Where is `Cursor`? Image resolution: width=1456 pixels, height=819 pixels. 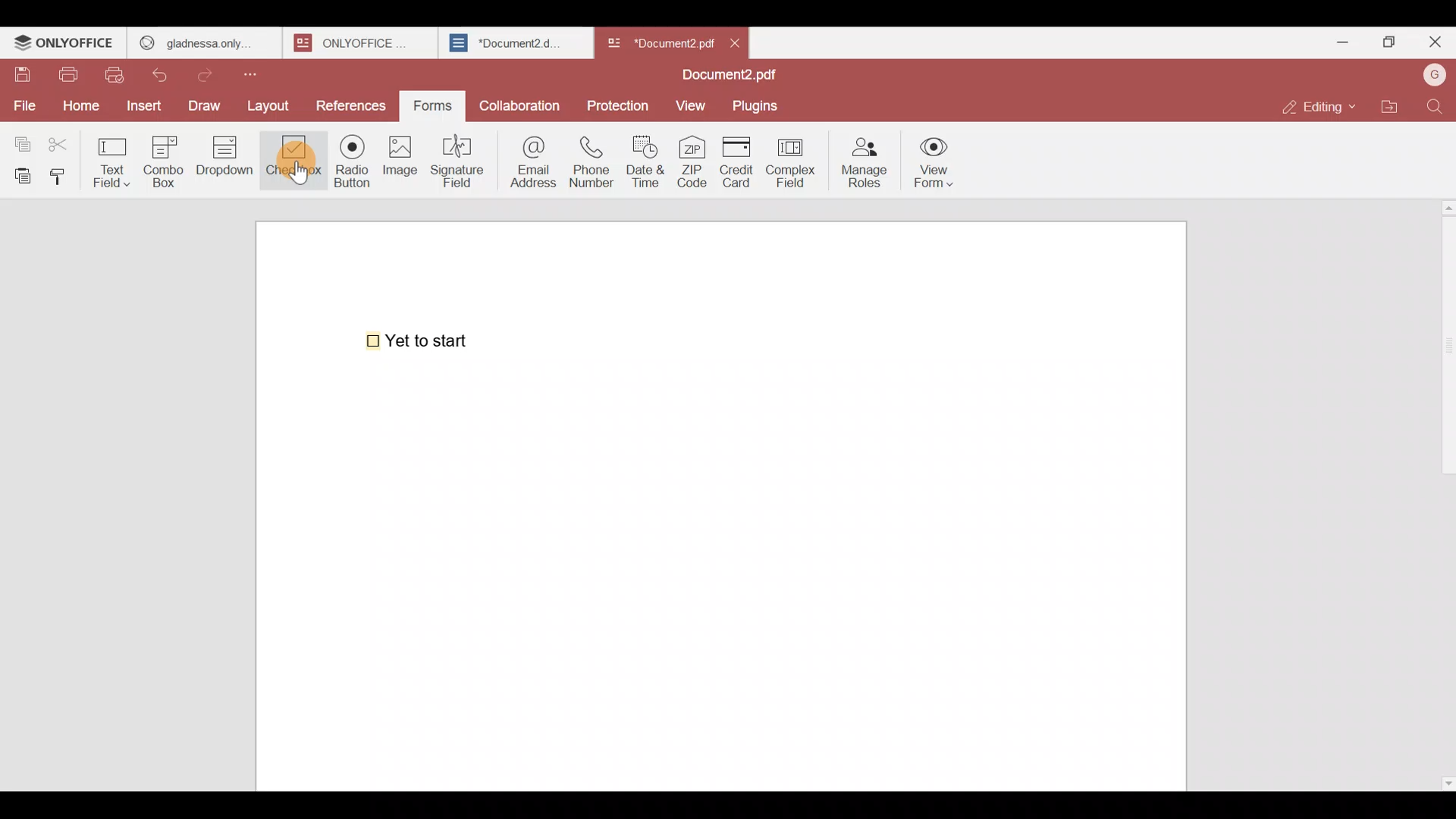
Cursor is located at coordinates (294, 171).